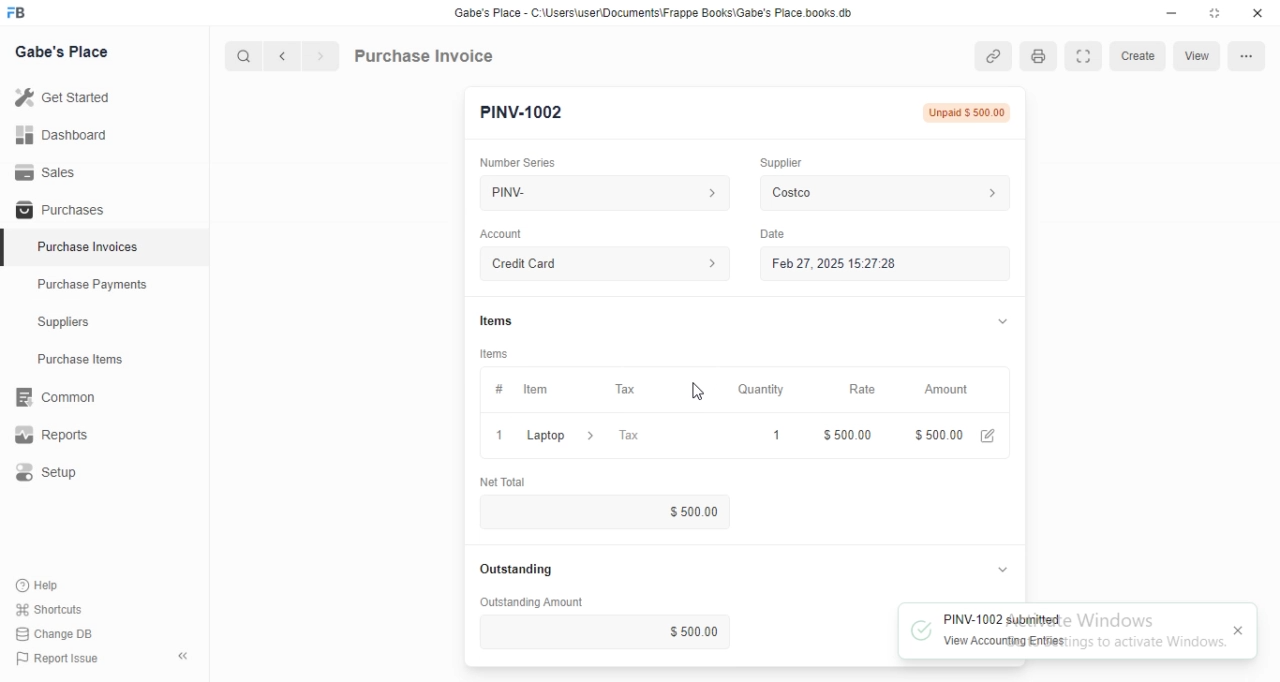  I want to click on Outstanding, so click(516, 569).